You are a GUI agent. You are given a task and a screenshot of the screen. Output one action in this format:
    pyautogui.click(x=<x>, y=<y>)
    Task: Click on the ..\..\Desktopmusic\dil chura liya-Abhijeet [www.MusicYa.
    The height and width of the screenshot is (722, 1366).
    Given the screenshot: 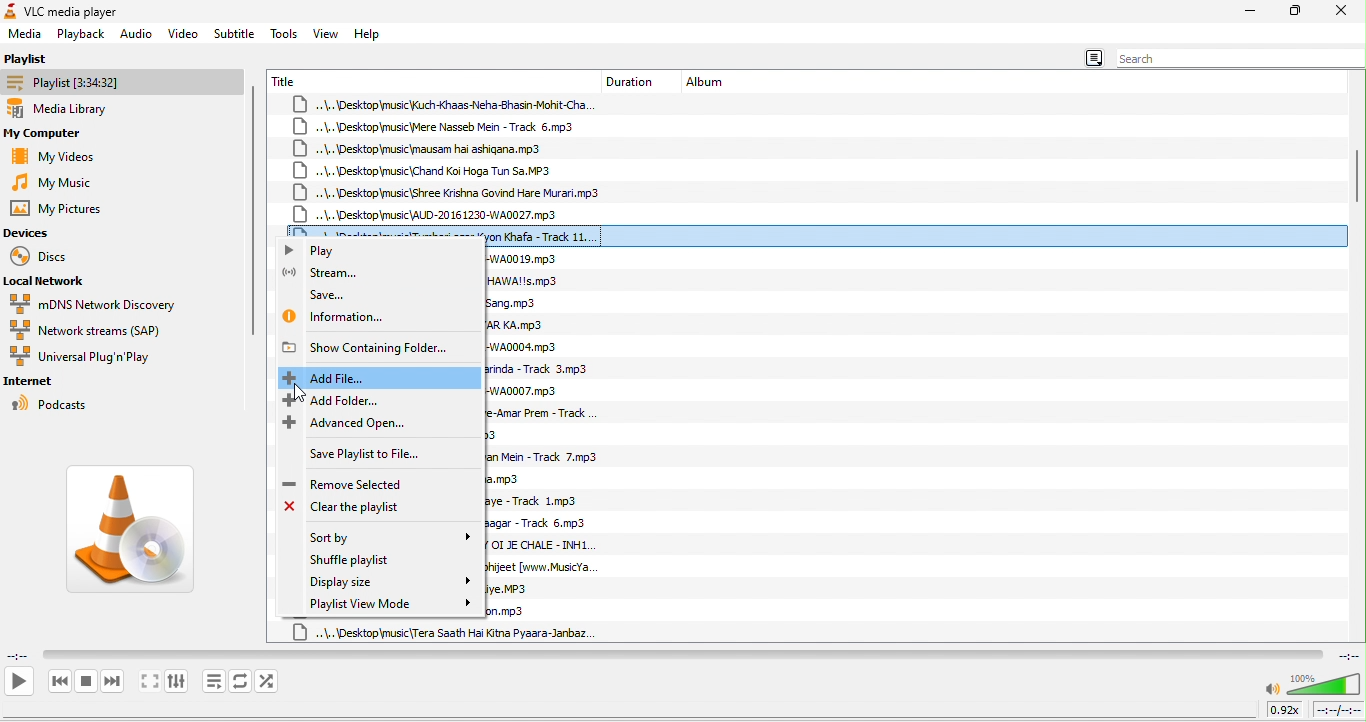 What is the action you would take?
    pyautogui.click(x=559, y=568)
    